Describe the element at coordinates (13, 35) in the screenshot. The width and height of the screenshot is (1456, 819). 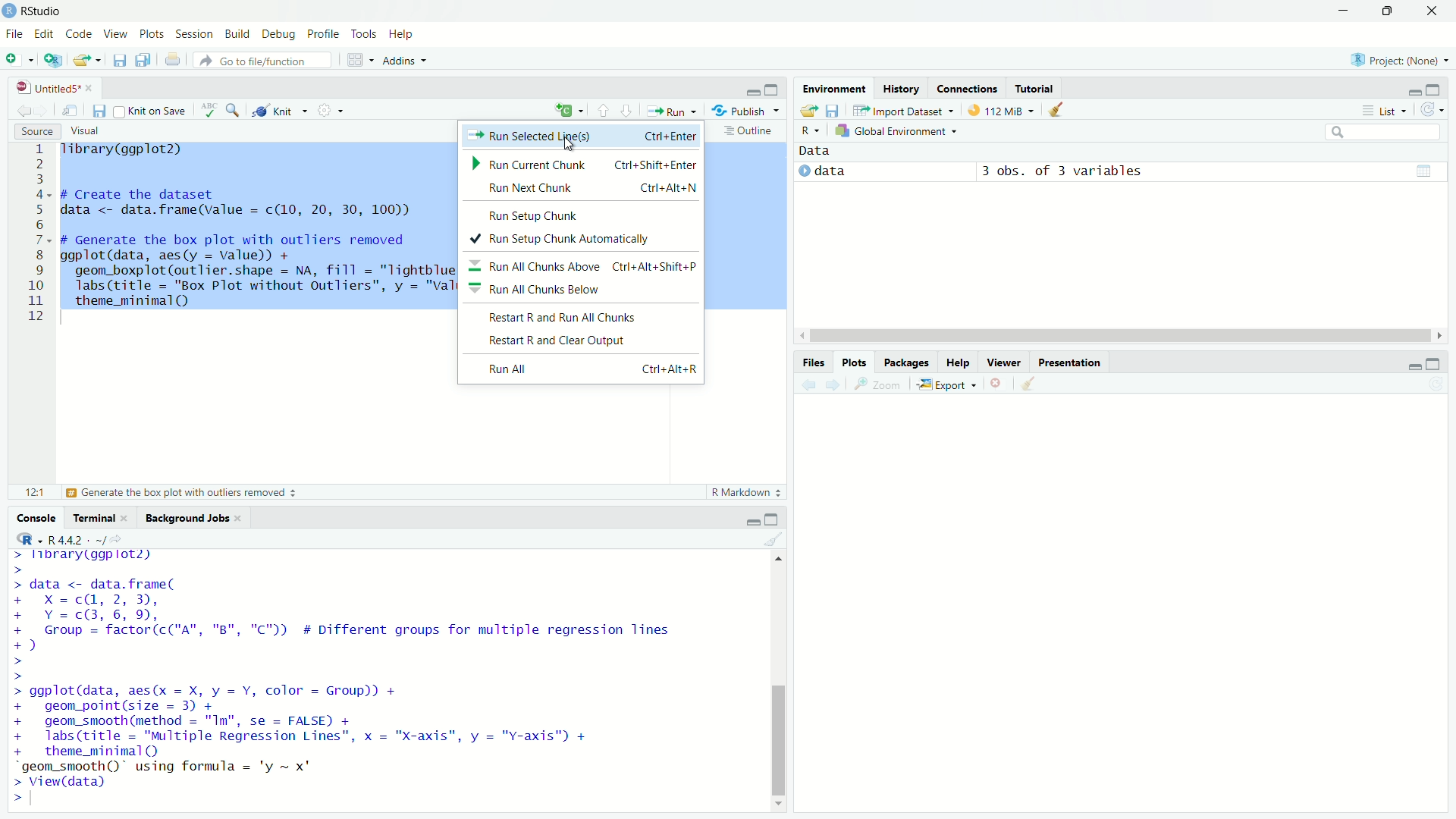
I see `File` at that location.